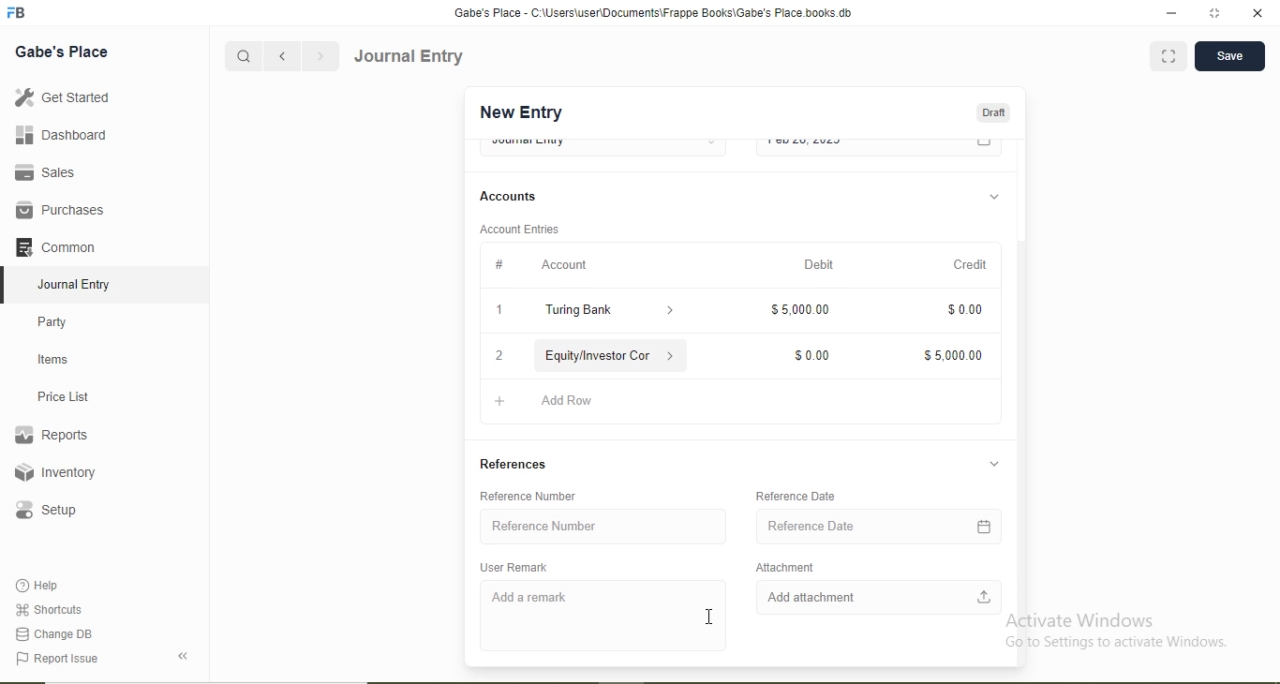 This screenshot has height=684, width=1280. What do you see at coordinates (242, 57) in the screenshot?
I see `Search` at bounding box center [242, 57].